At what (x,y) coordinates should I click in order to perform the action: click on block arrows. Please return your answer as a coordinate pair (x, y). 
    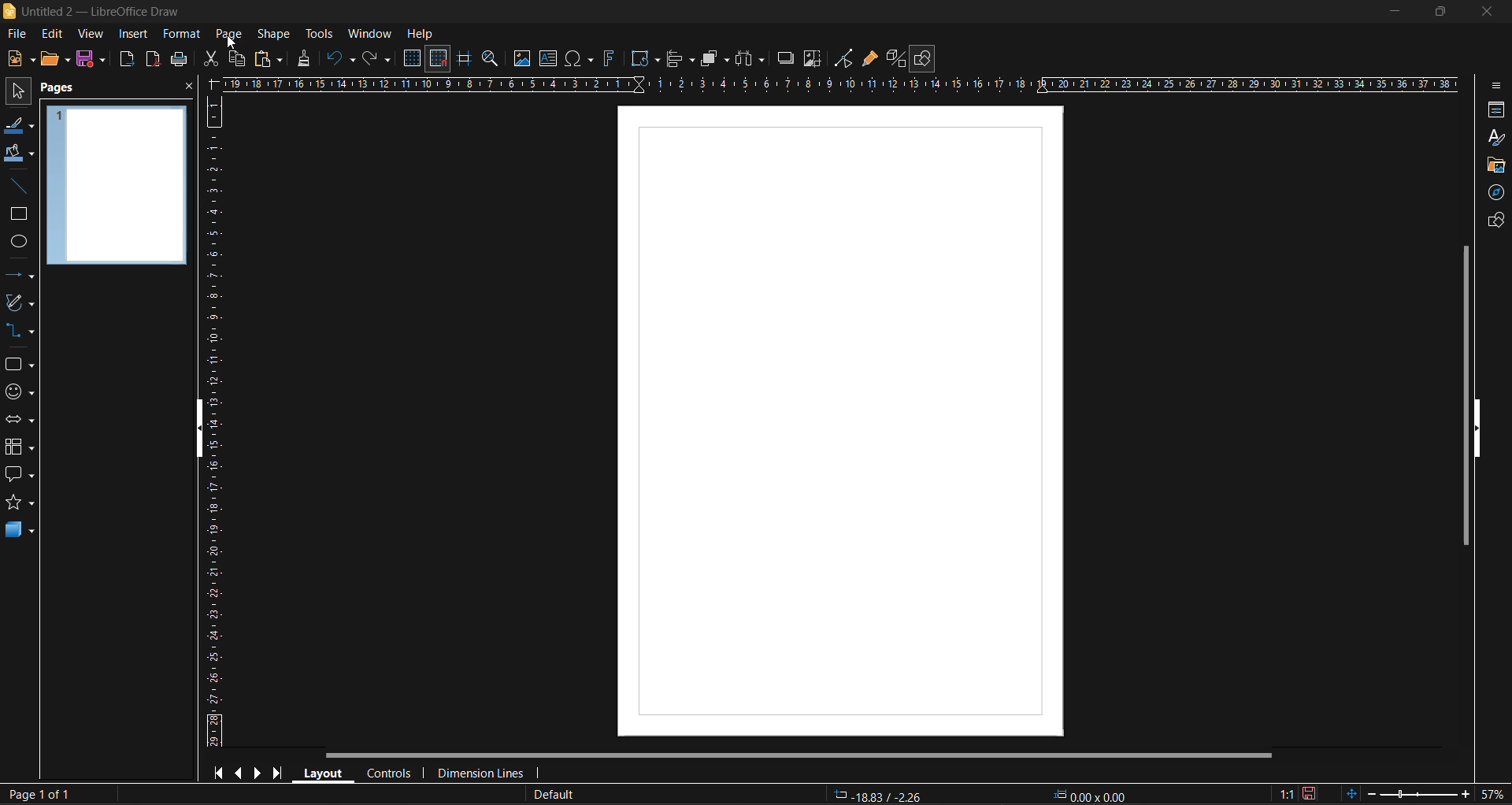
    Looking at the image, I should click on (20, 420).